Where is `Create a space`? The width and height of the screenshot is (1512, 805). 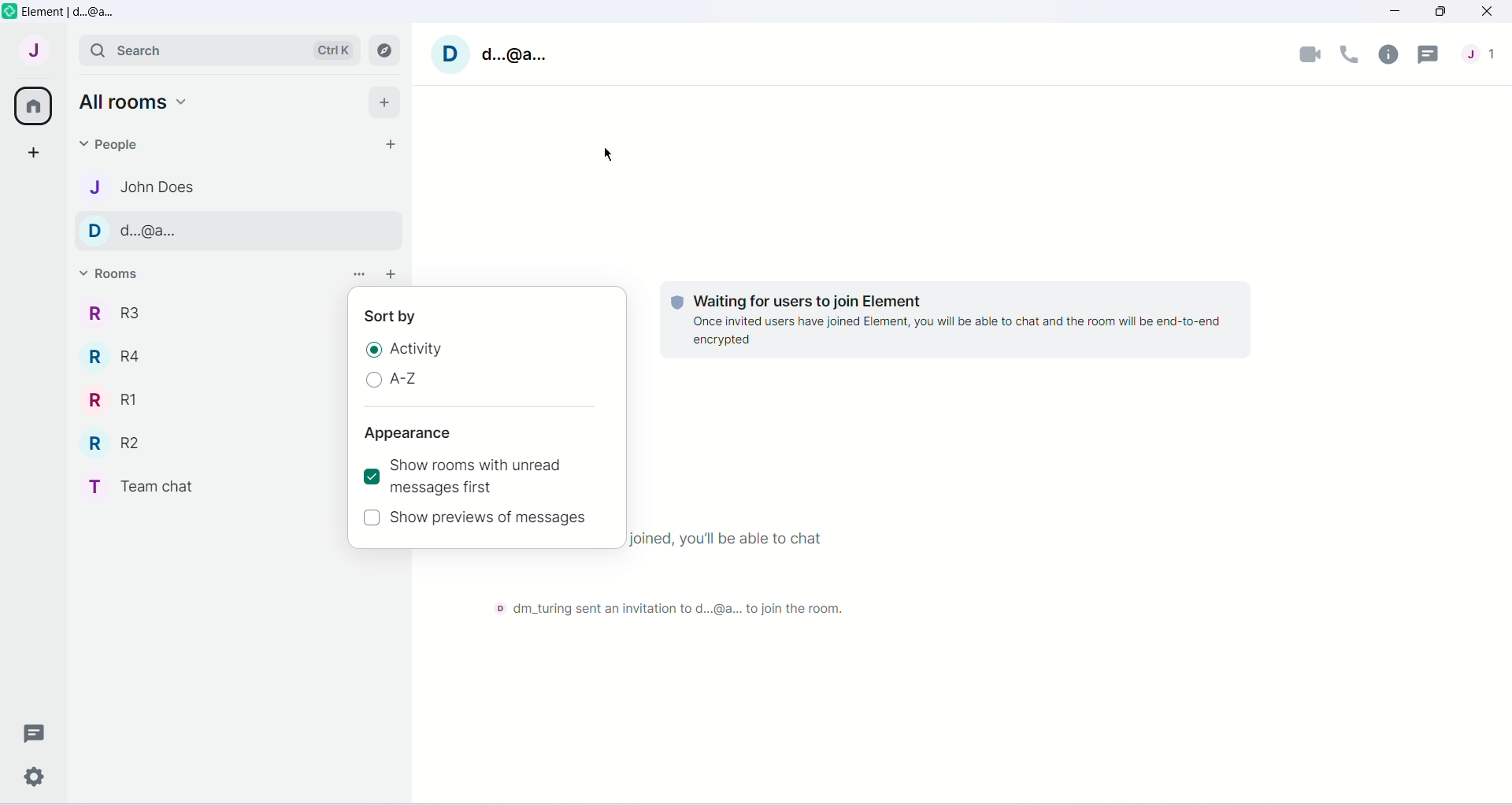
Create a space is located at coordinates (32, 154).